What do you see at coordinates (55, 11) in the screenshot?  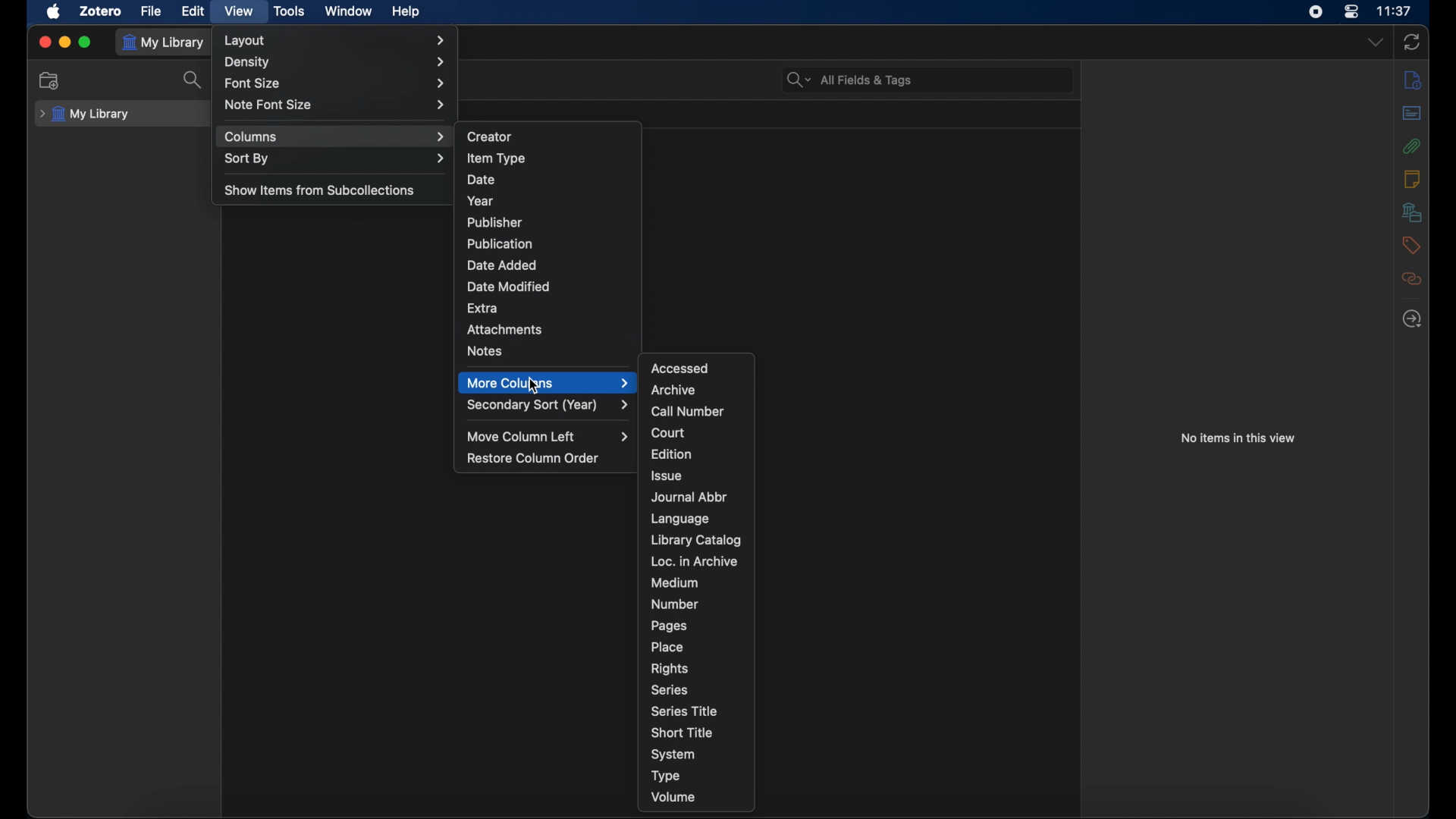 I see `apple` at bounding box center [55, 11].